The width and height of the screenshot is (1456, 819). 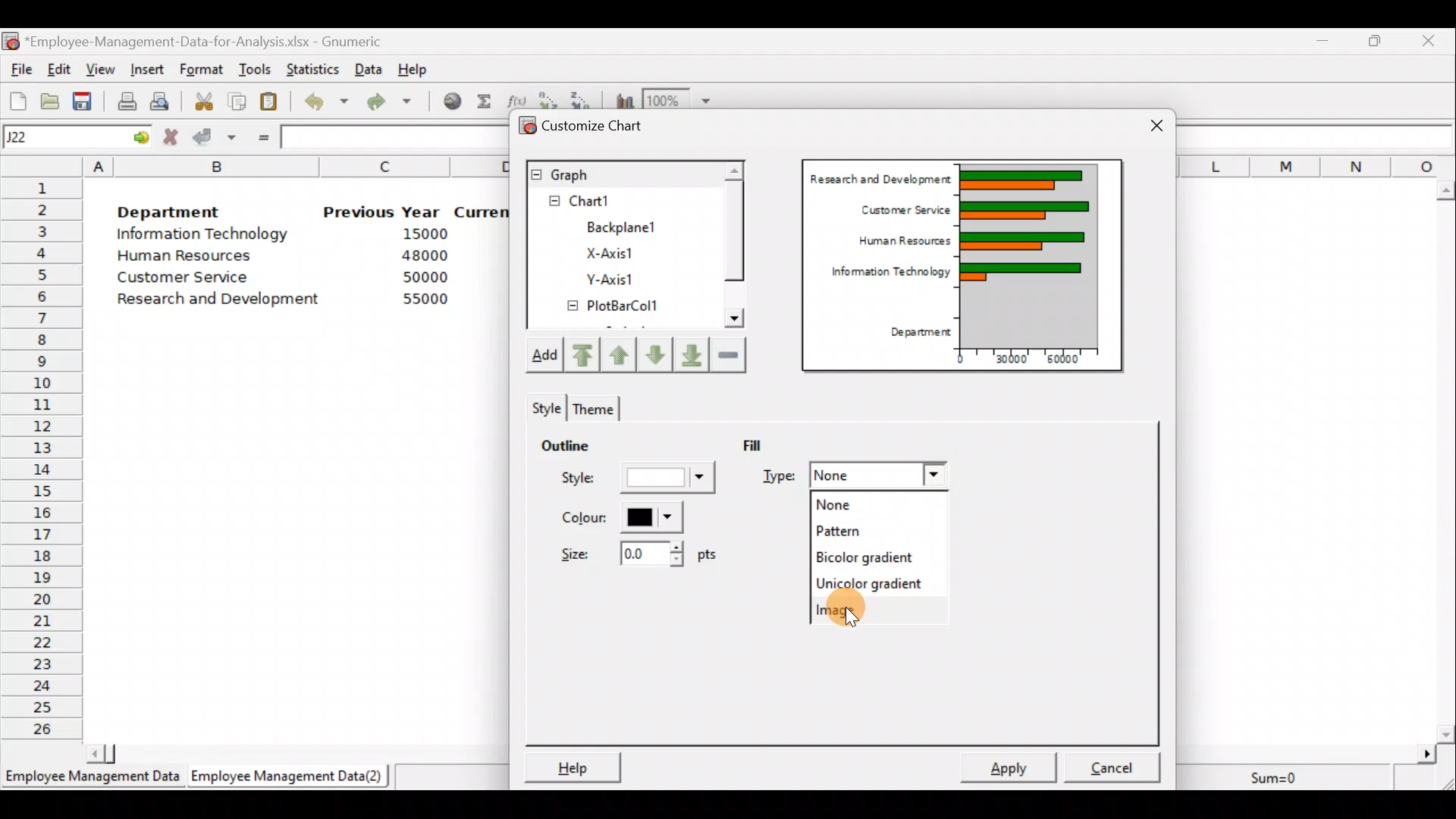 I want to click on Human Resources, so click(x=890, y=240).